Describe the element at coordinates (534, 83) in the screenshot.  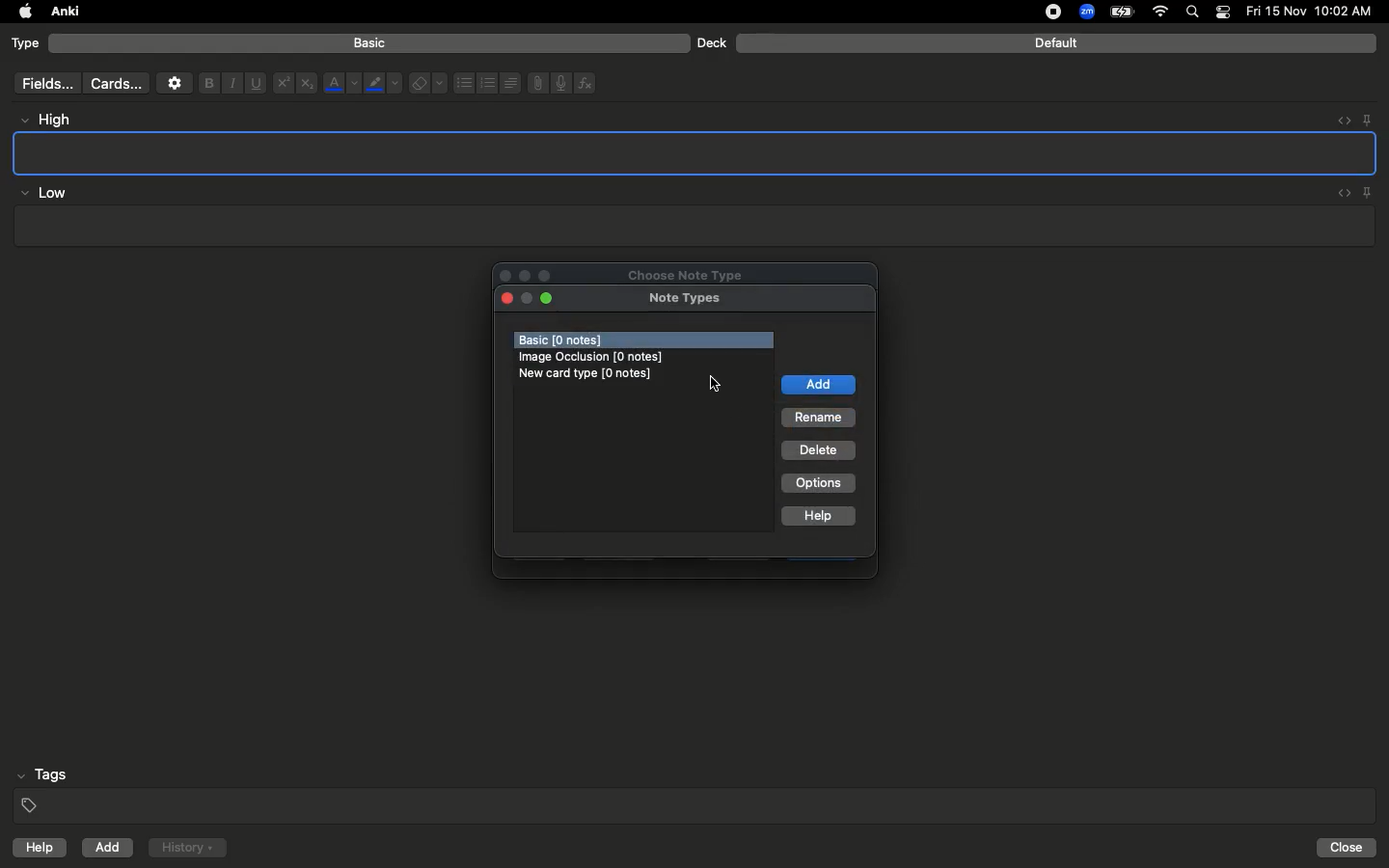
I see `File` at that location.